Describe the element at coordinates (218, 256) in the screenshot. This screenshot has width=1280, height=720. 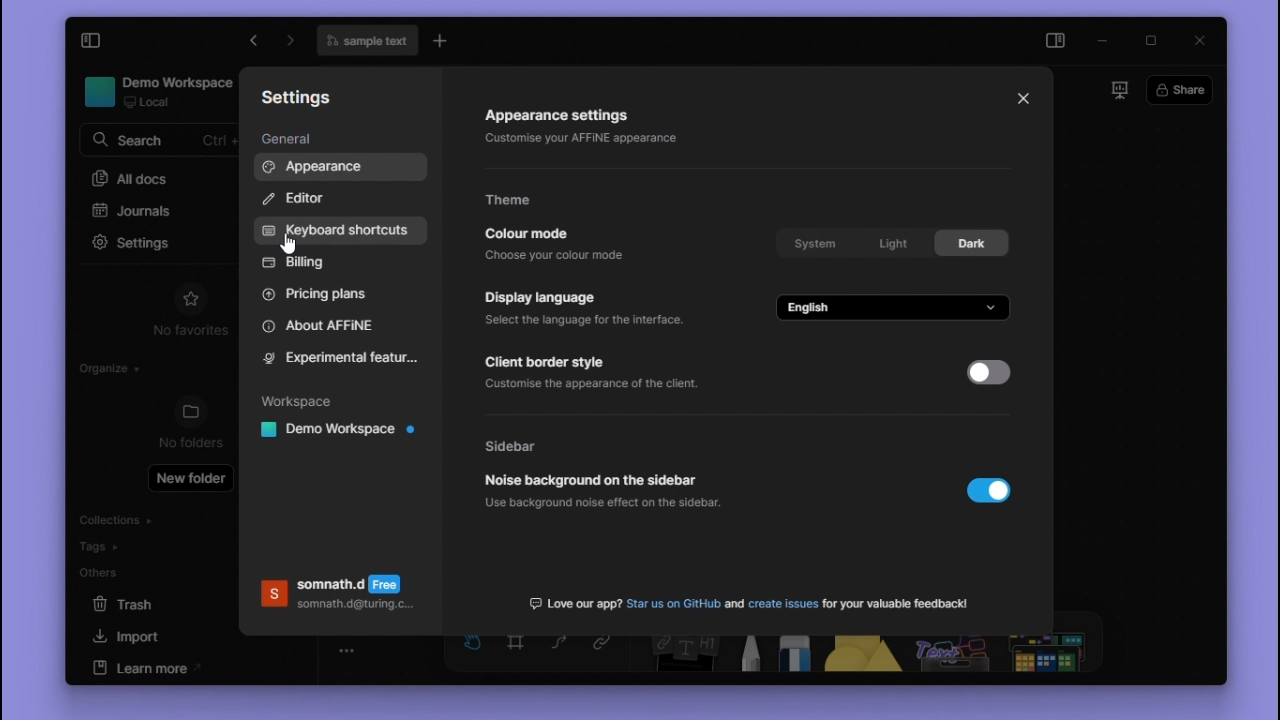
I see `cursor` at that location.